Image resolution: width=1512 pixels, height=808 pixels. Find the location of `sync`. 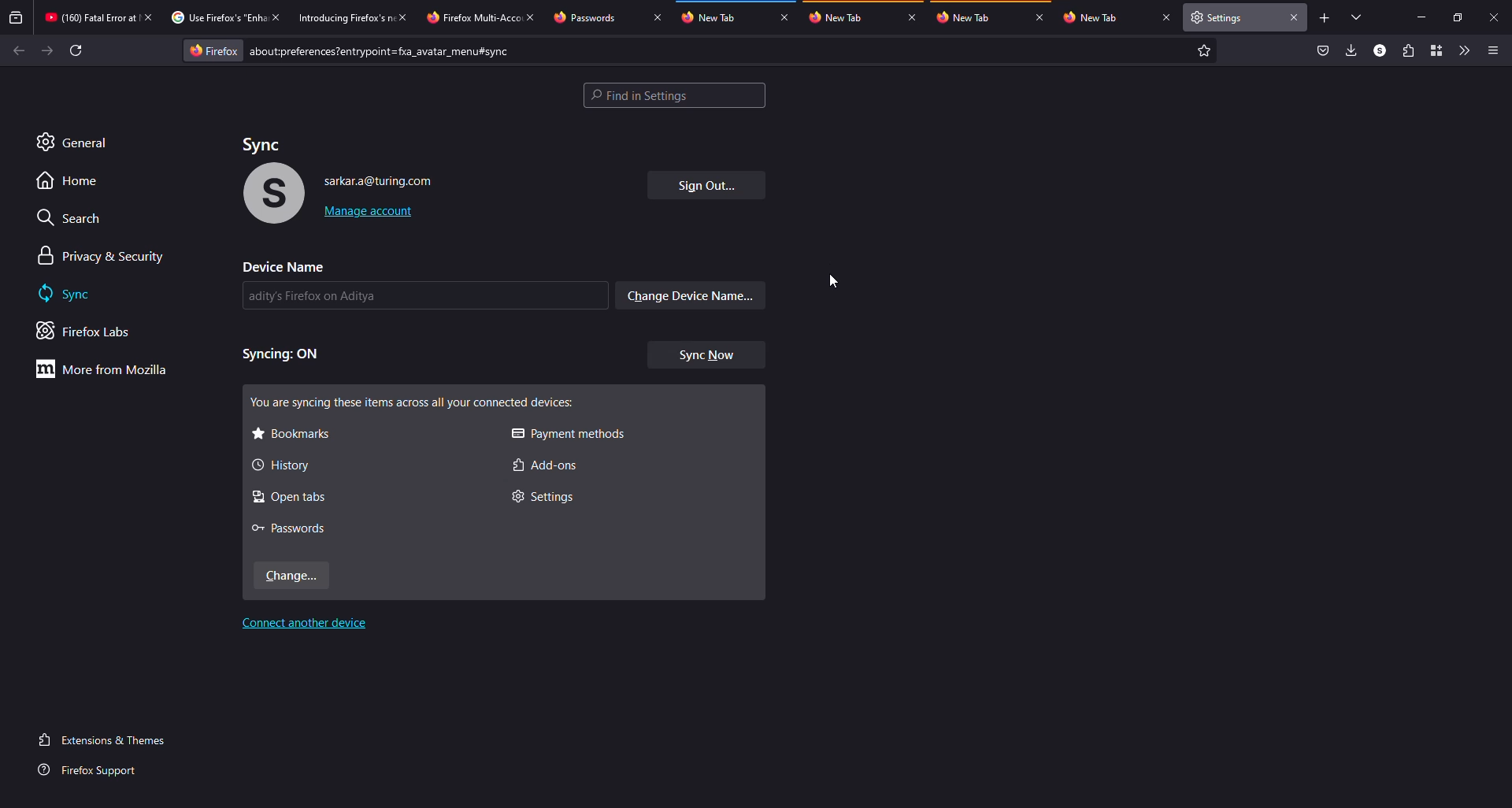

sync is located at coordinates (70, 294).